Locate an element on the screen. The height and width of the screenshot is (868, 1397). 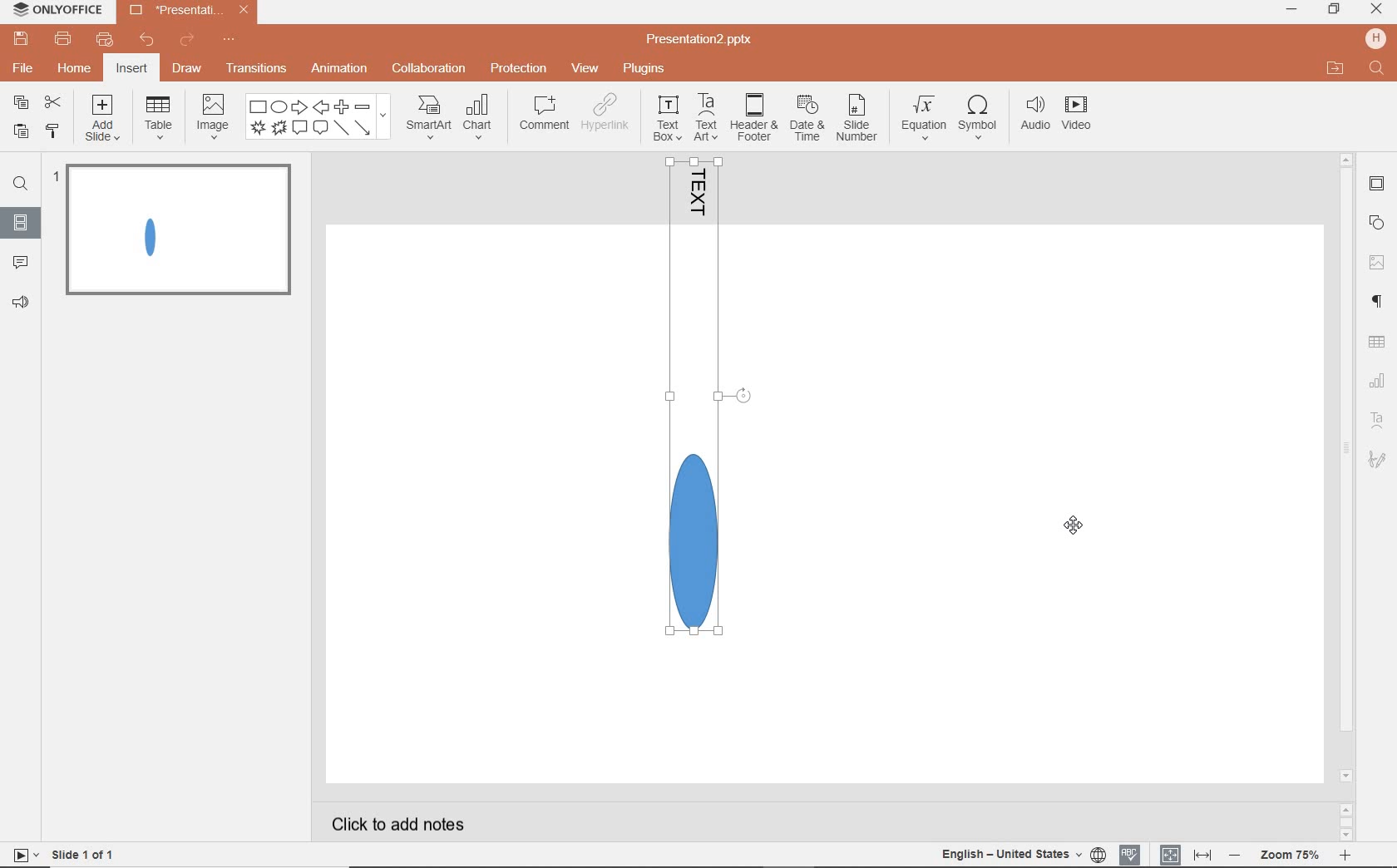
SLIDE 1 OF 1 is located at coordinates (65, 854).